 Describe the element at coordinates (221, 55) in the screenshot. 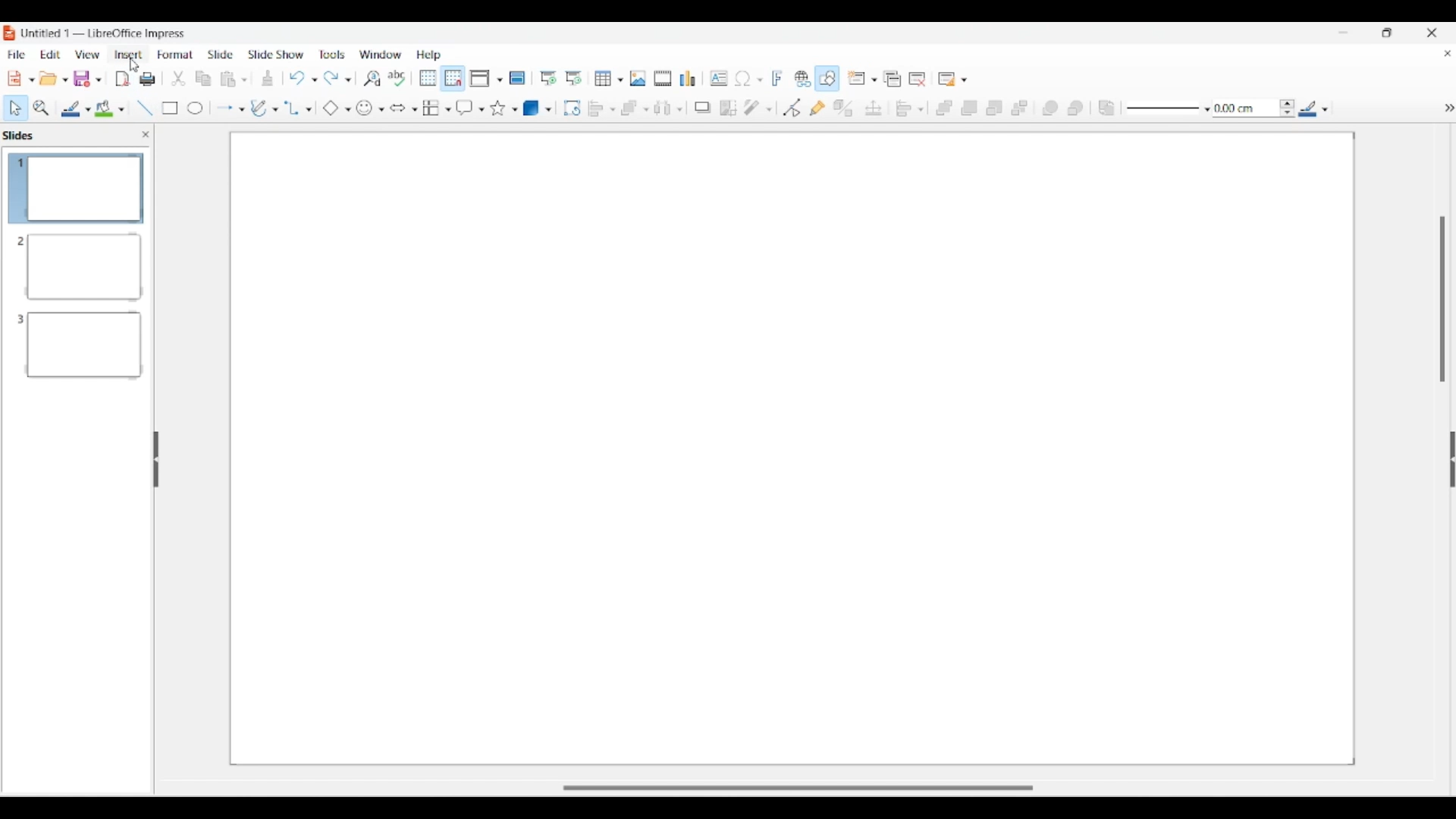

I see `Slide menu` at that location.